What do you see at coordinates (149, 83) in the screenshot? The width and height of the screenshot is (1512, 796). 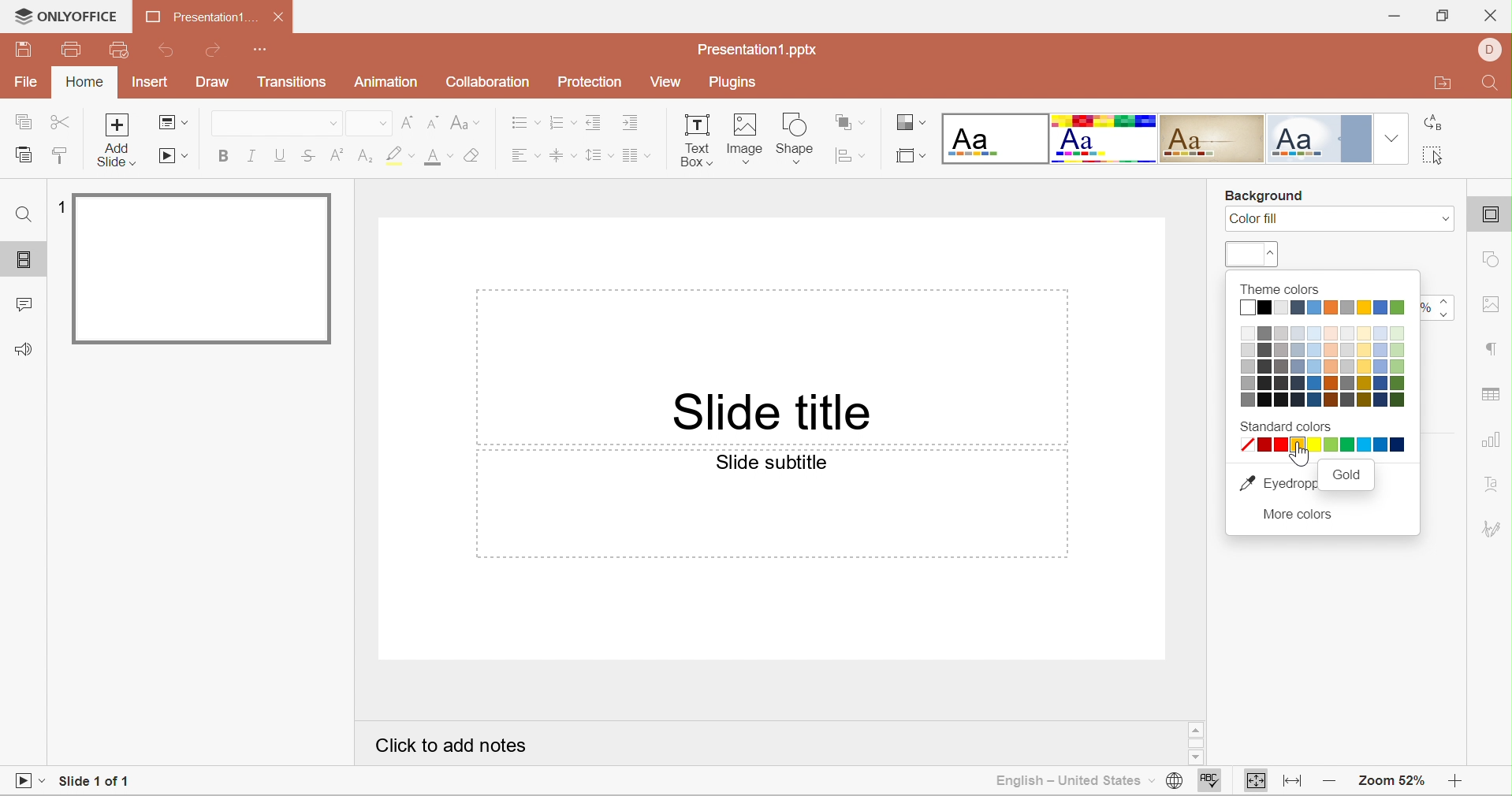 I see `Insert` at bounding box center [149, 83].